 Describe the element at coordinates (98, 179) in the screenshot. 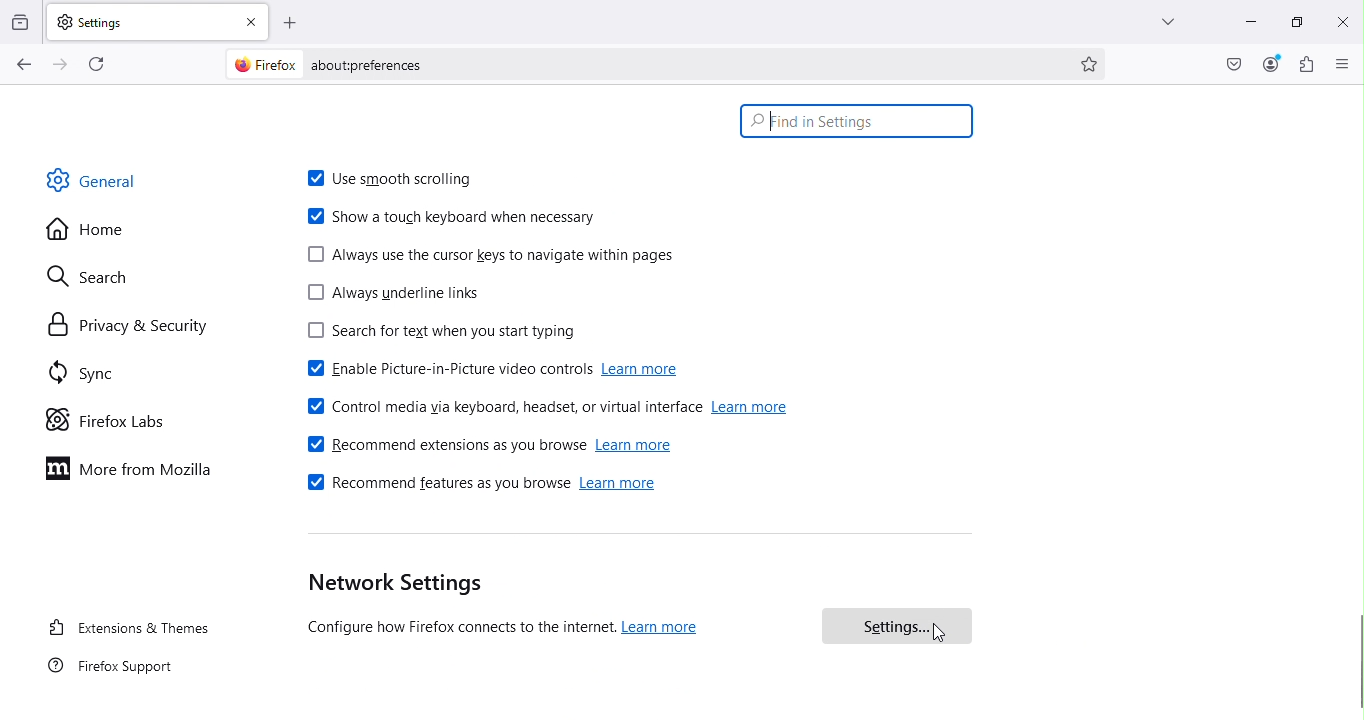

I see `General` at that location.